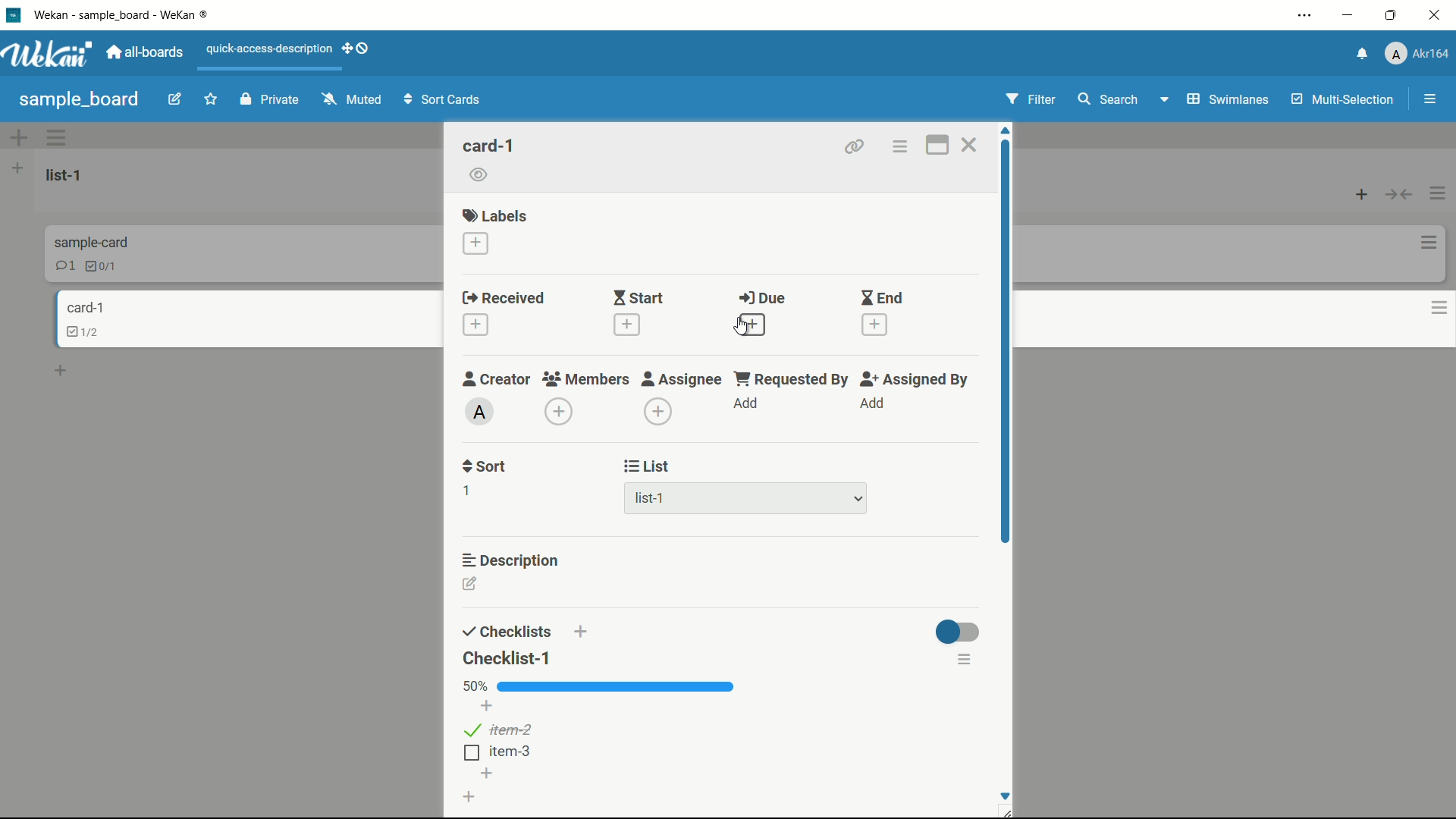 This screenshot has height=819, width=1456. What do you see at coordinates (1425, 306) in the screenshot?
I see `card actions` at bounding box center [1425, 306].